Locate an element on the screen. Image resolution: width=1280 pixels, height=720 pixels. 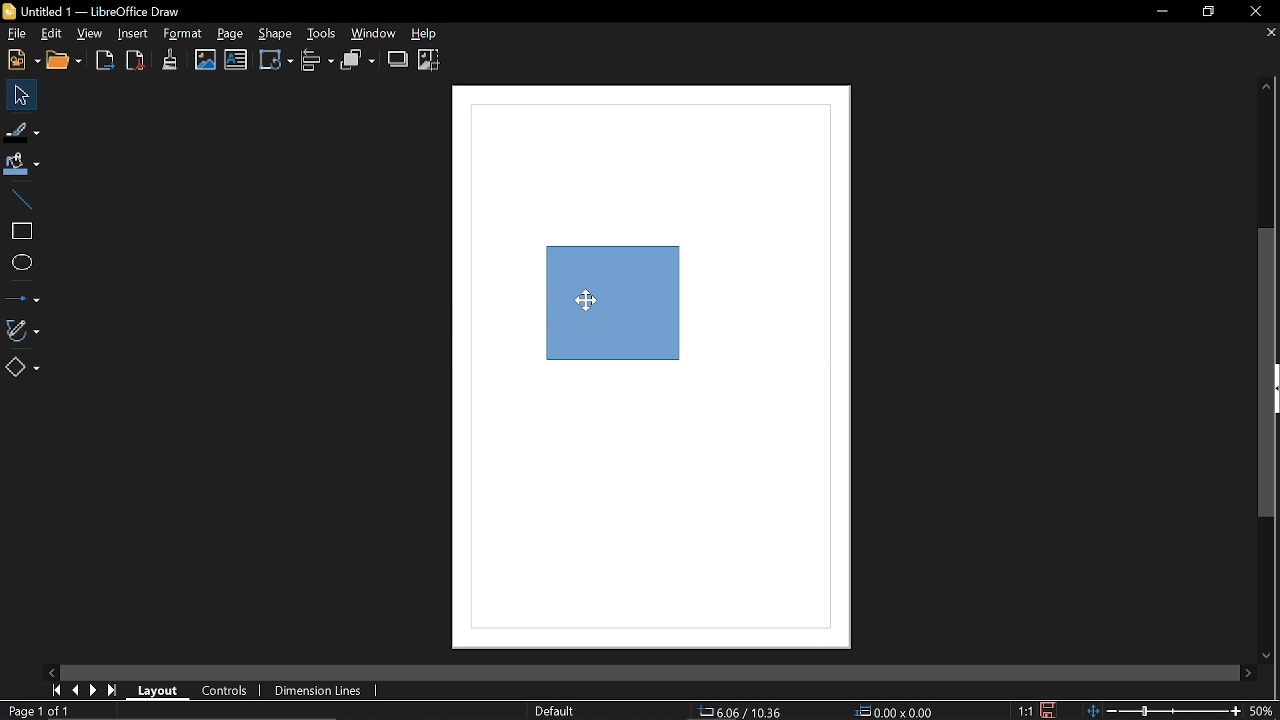
Insert image is located at coordinates (203, 60).